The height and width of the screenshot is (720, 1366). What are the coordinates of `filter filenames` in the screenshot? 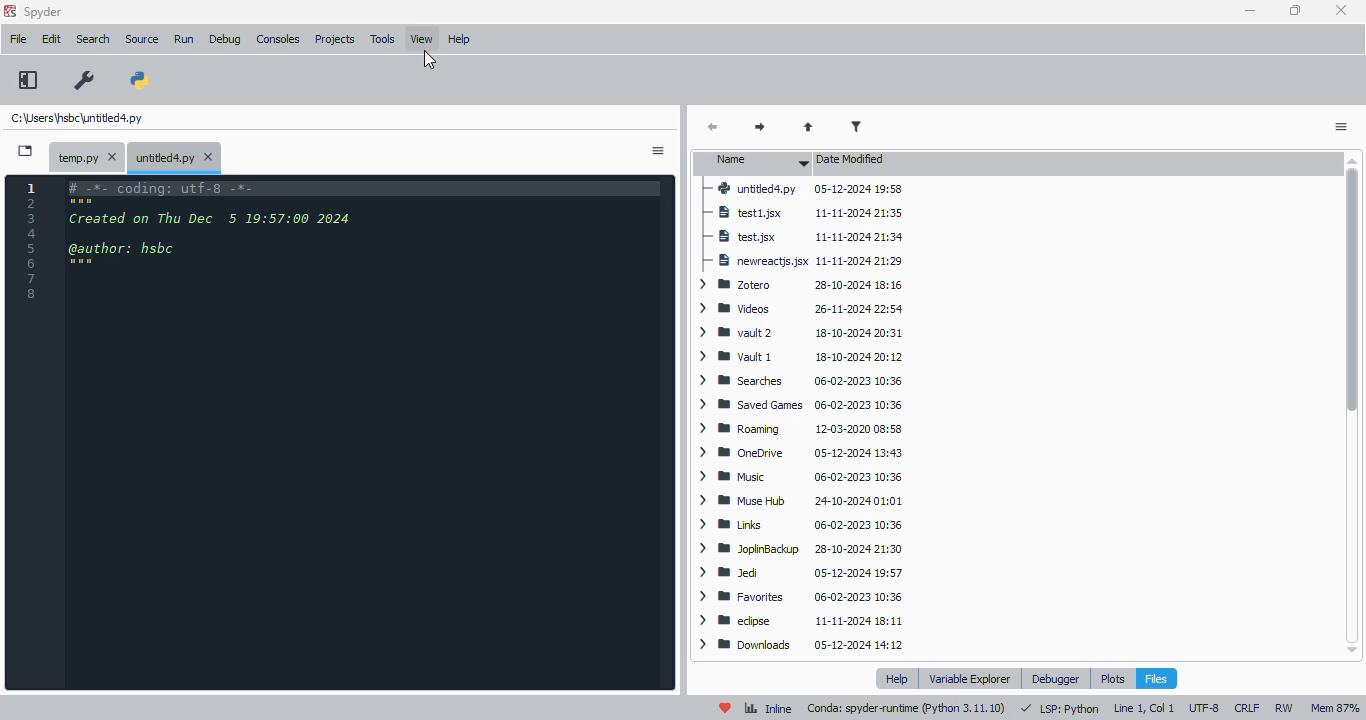 It's located at (856, 126).